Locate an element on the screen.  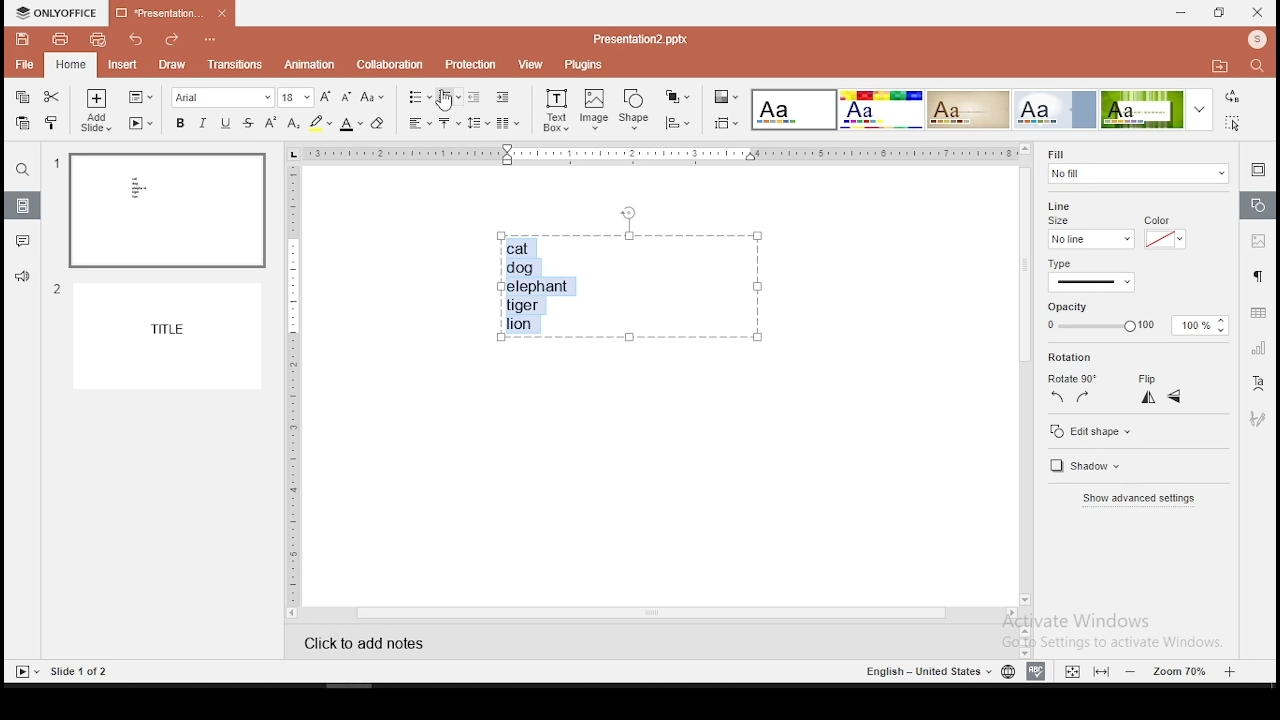
presentation2.pptx is located at coordinates (641, 38).